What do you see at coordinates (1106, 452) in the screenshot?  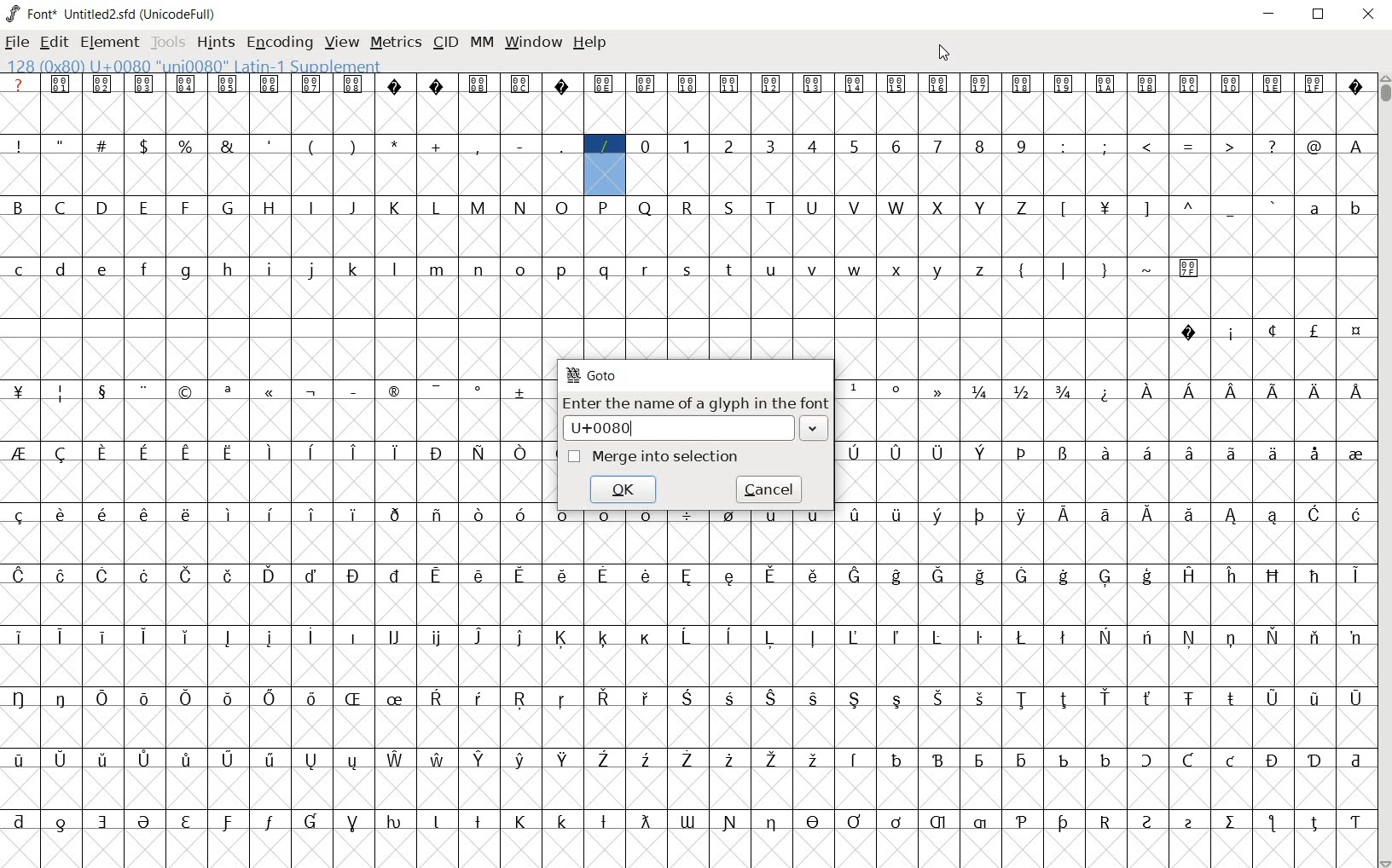 I see `glyph` at bounding box center [1106, 452].